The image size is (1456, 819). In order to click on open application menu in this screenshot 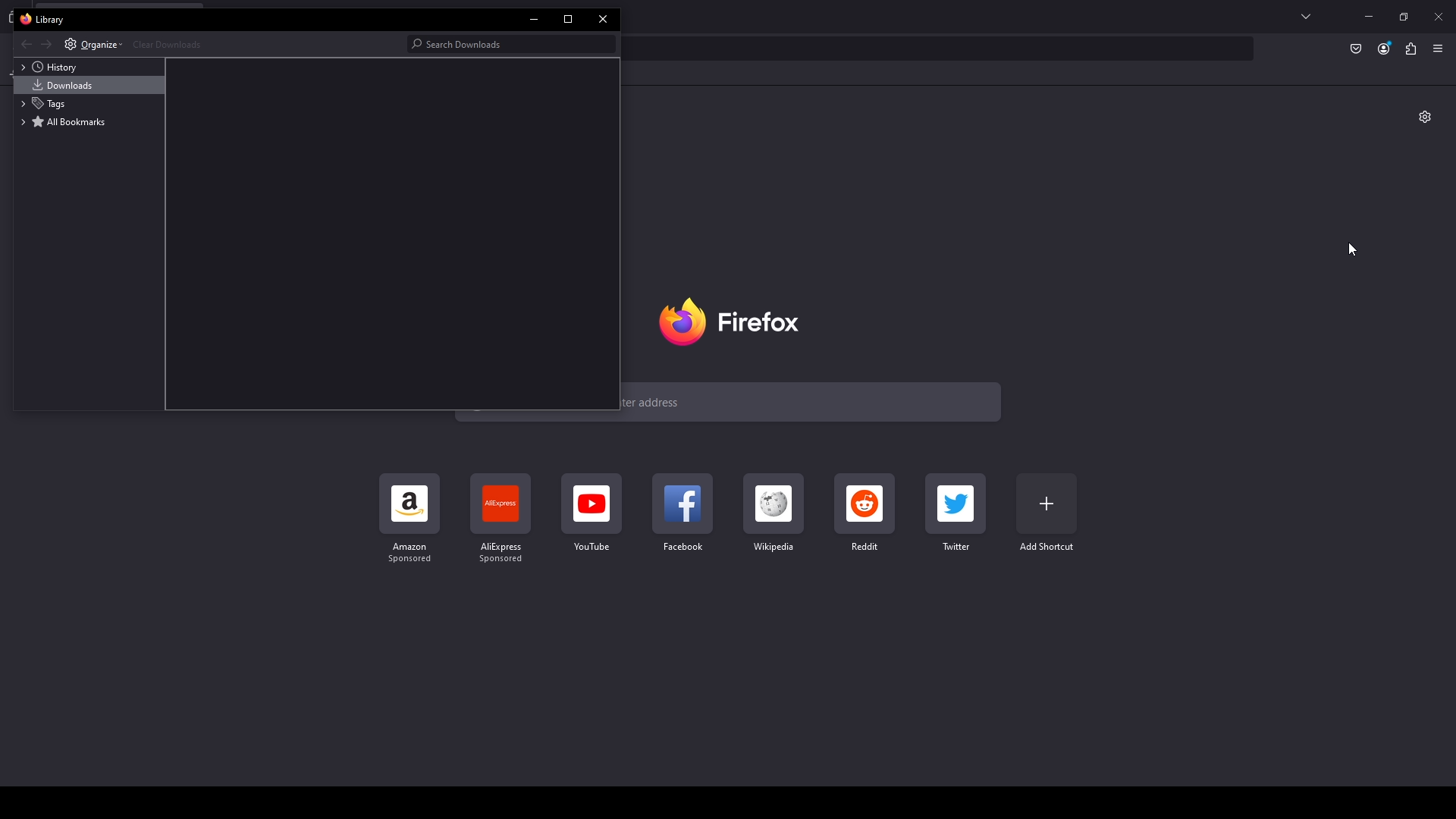, I will do `click(1442, 49)`.